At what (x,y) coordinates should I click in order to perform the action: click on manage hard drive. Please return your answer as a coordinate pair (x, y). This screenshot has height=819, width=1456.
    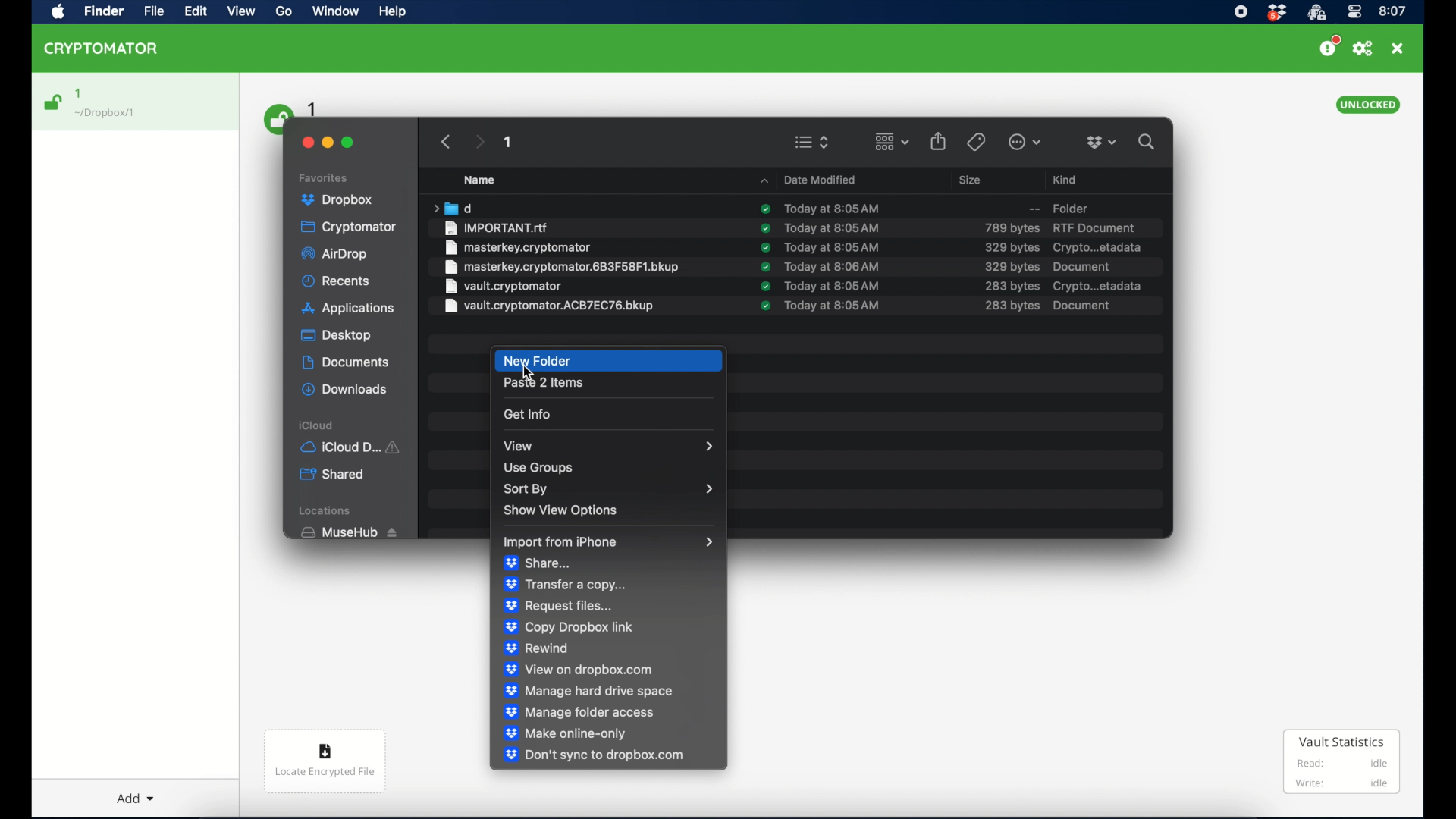
    Looking at the image, I should click on (588, 691).